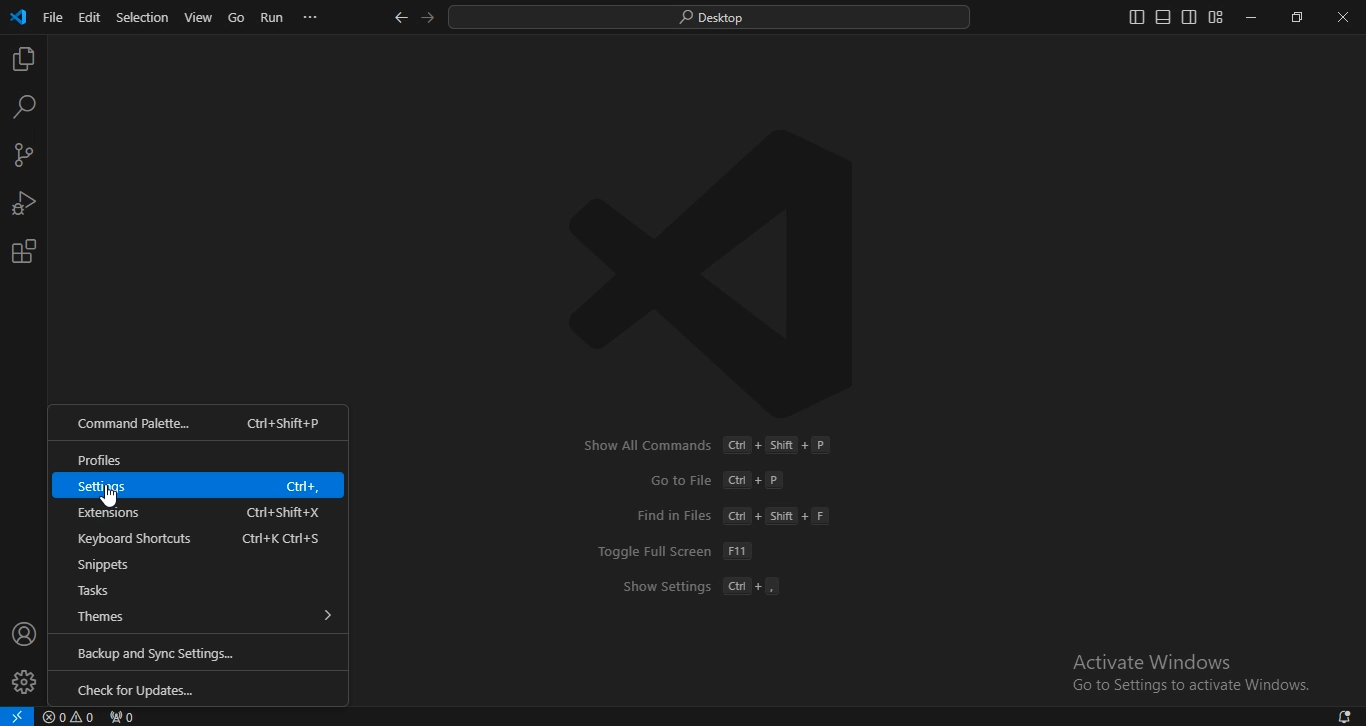  What do you see at coordinates (712, 19) in the screenshot?
I see `search` at bounding box center [712, 19].